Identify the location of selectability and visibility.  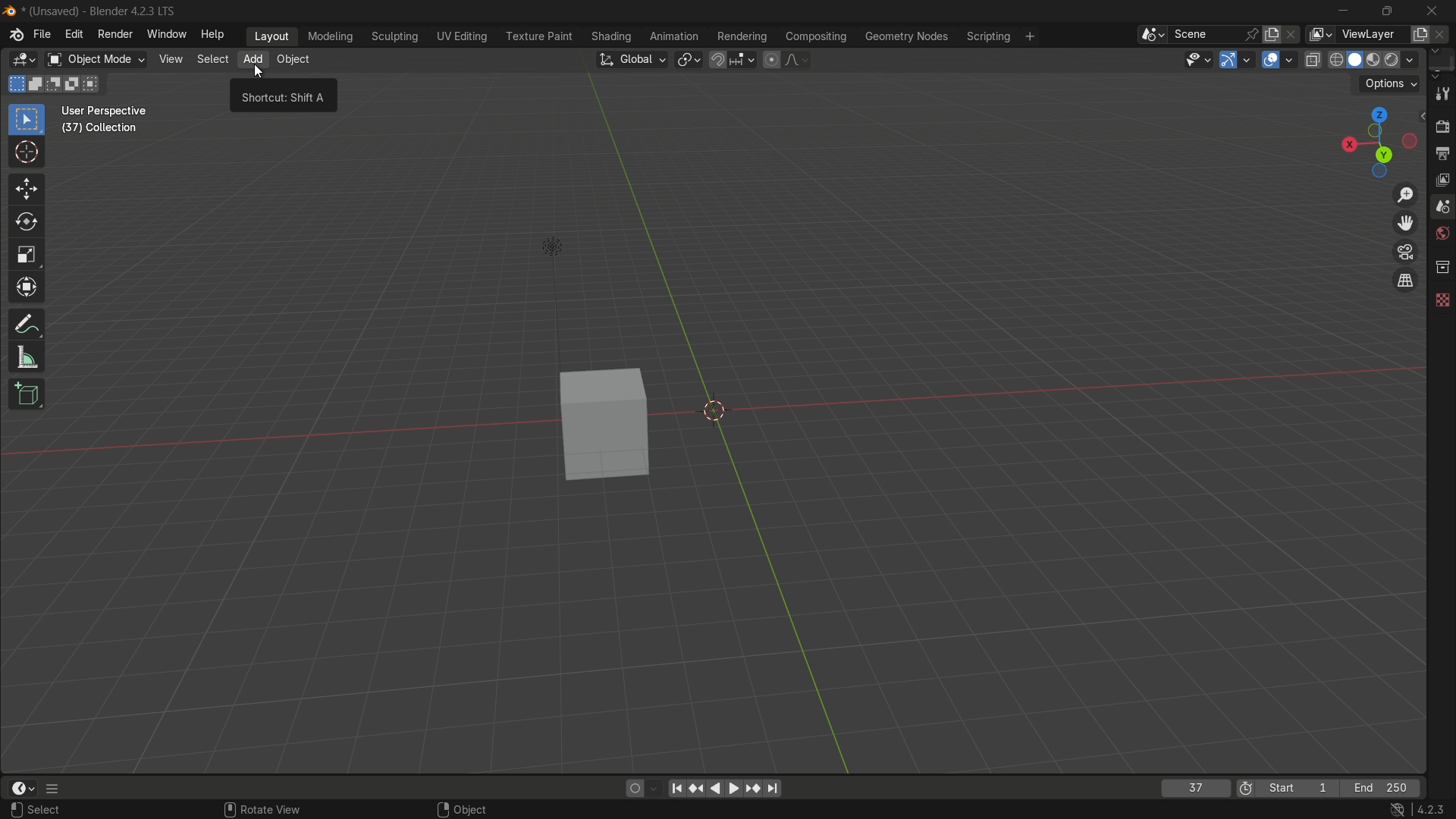
(1196, 60).